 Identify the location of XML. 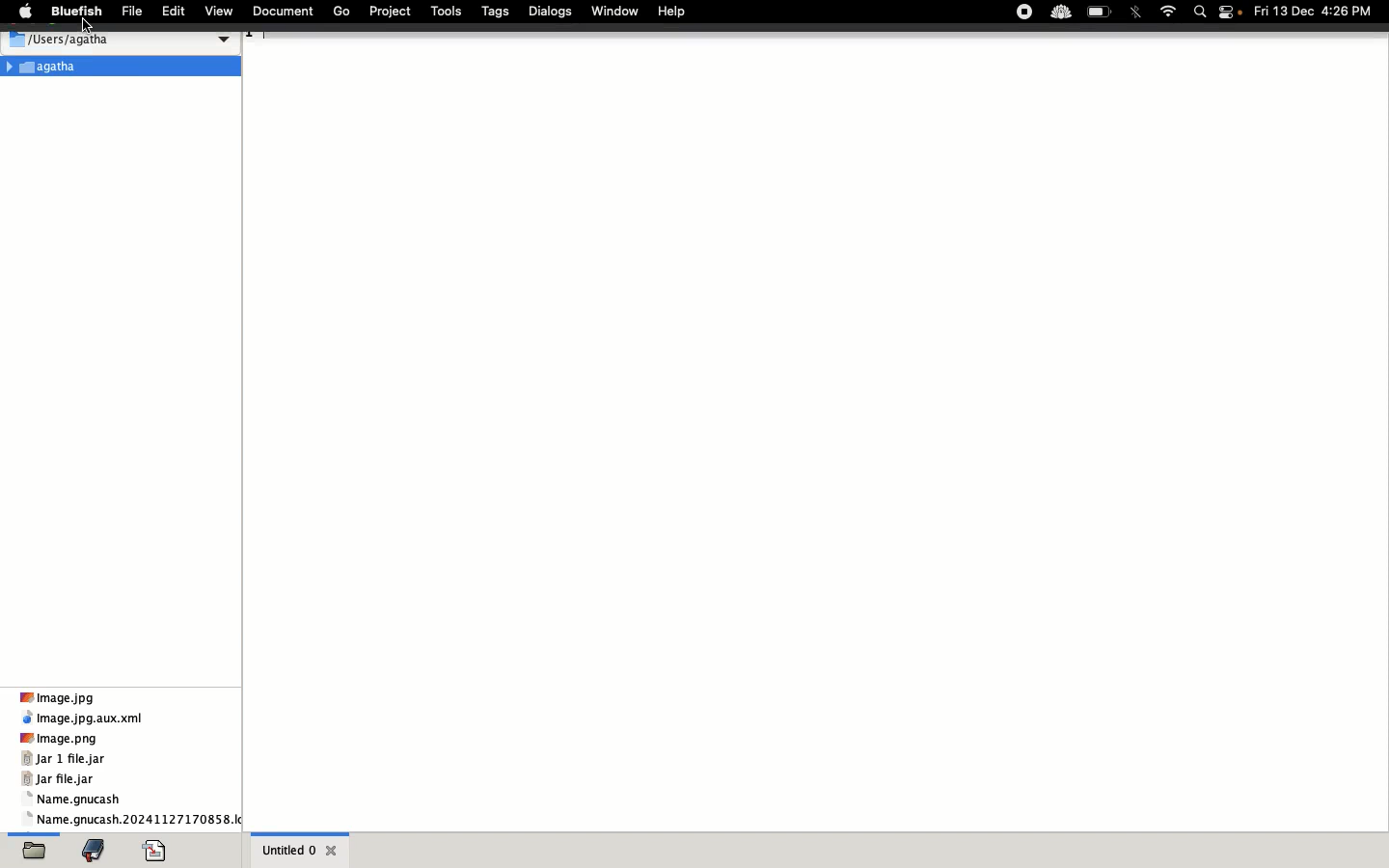
(84, 719).